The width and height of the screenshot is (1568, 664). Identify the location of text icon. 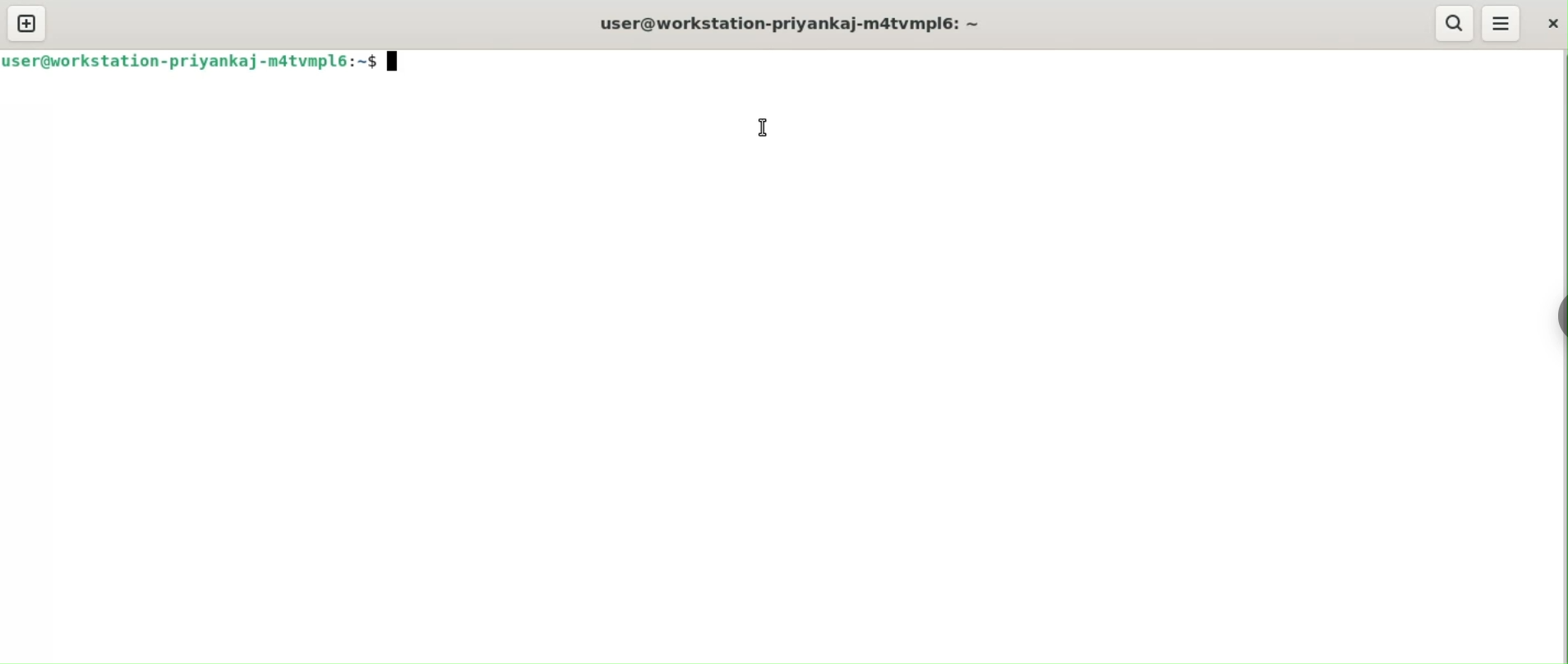
(396, 62).